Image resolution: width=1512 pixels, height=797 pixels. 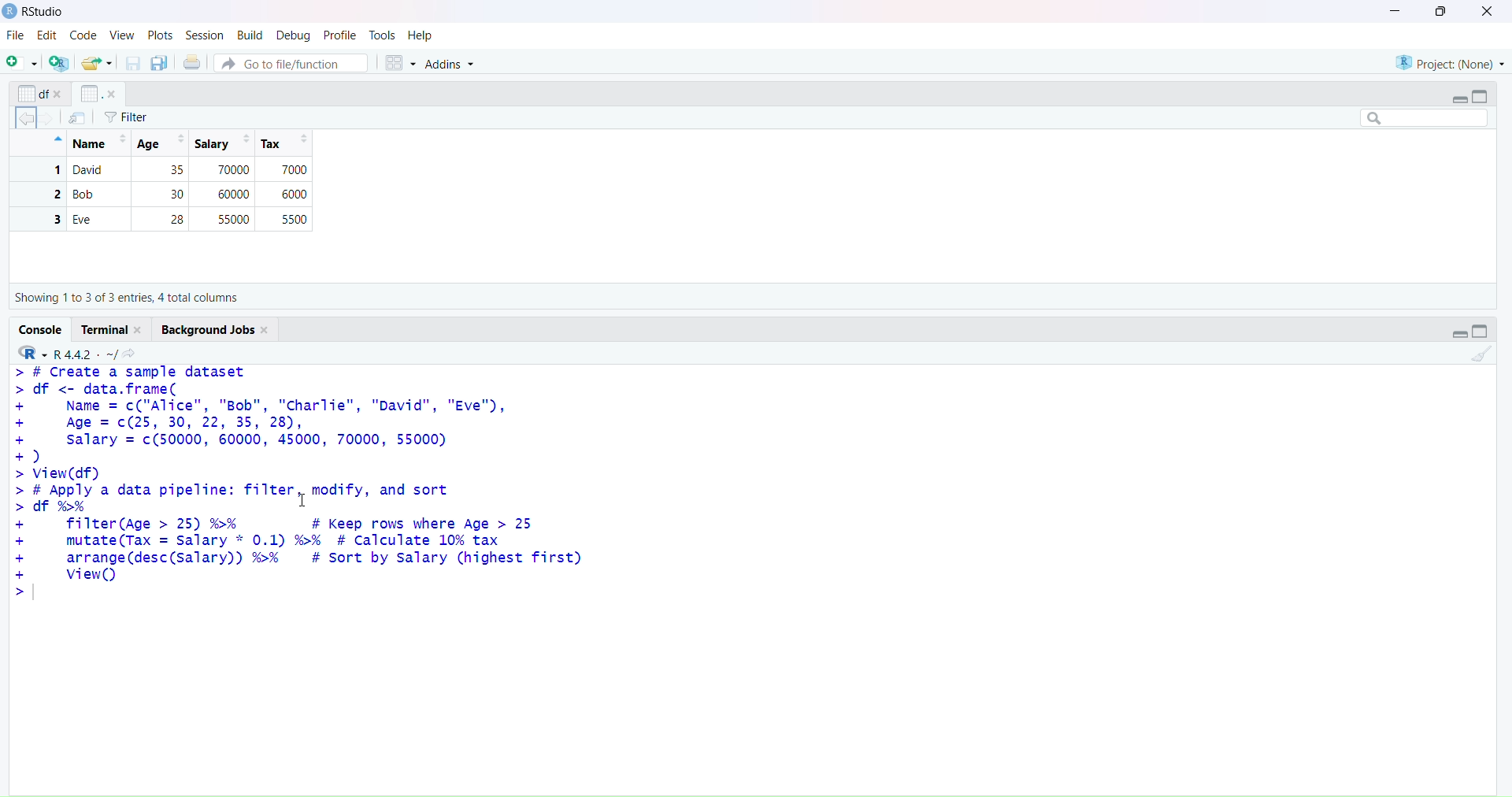 What do you see at coordinates (134, 64) in the screenshot?
I see `save current documents` at bounding box center [134, 64].